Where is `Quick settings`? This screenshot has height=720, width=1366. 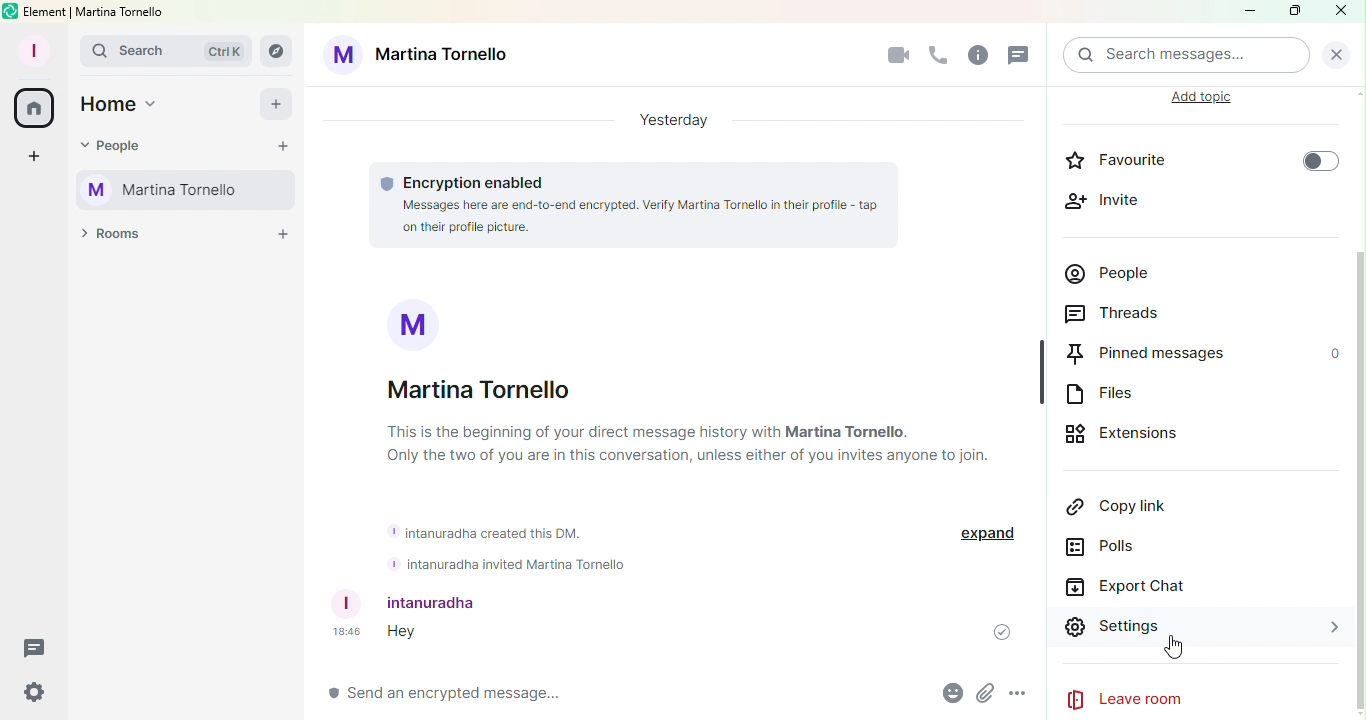
Quick settings is located at coordinates (31, 694).